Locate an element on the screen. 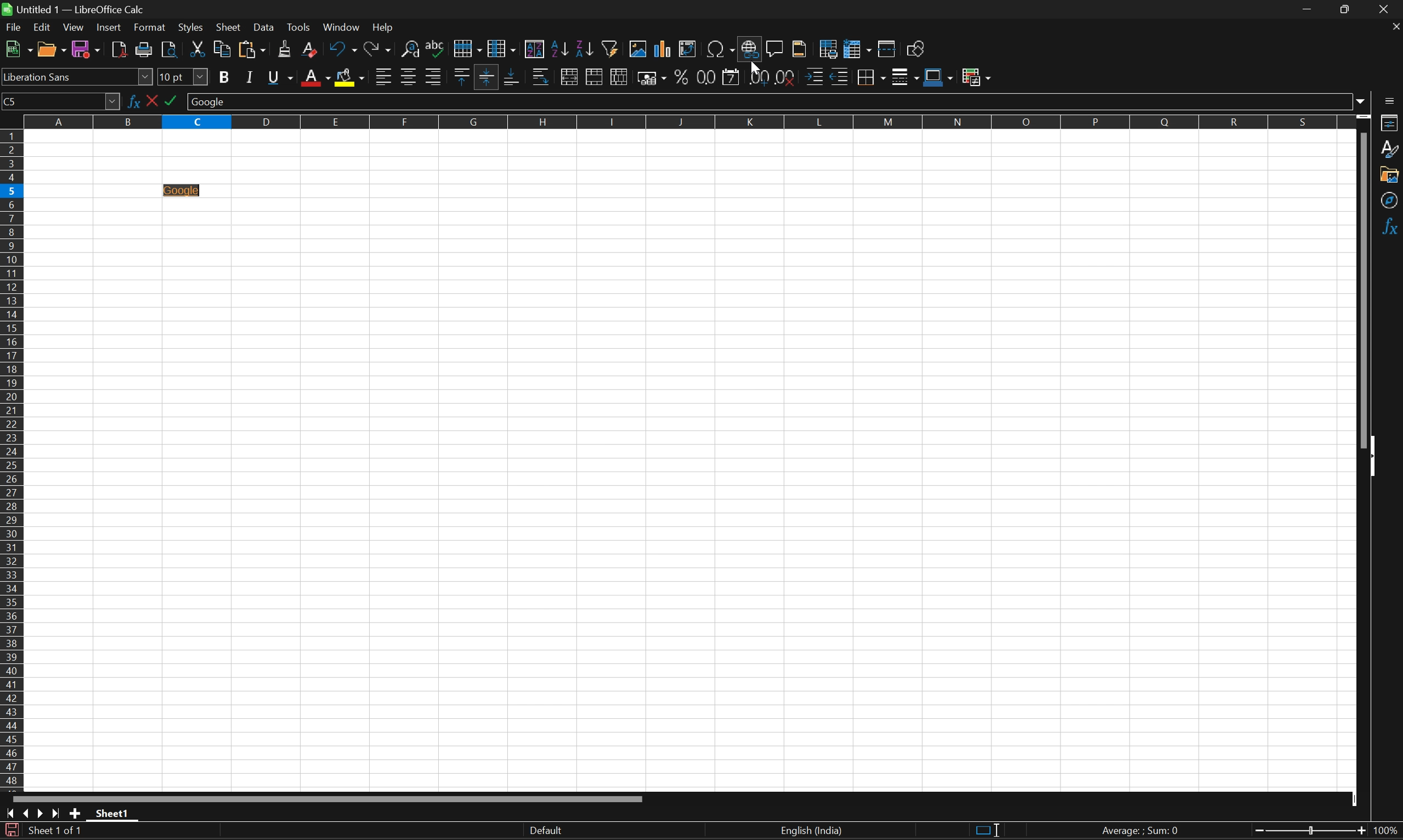  Scroll to last sheet is located at coordinates (54, 816).